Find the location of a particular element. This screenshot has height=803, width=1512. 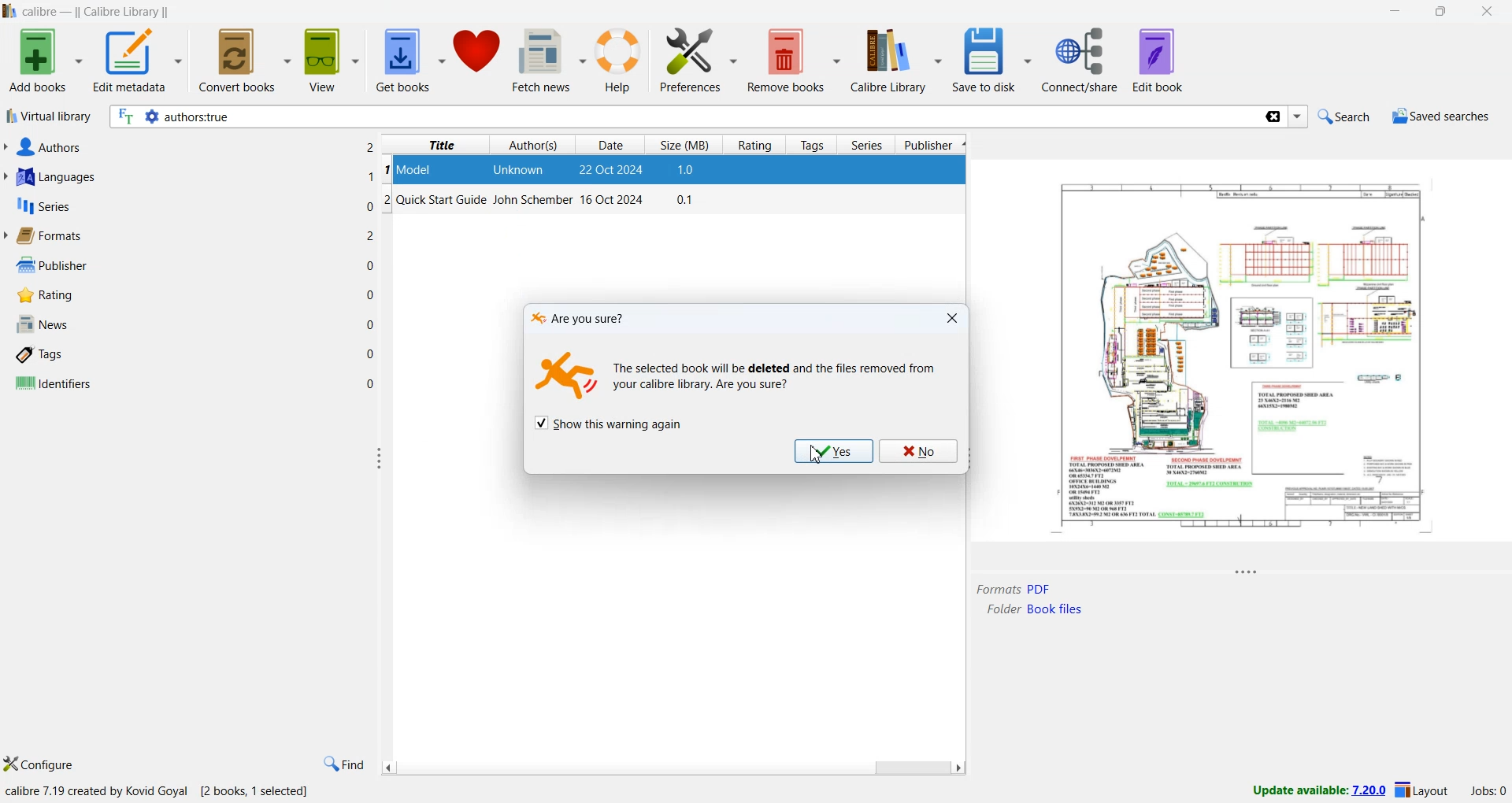

save to disk is located at coordinates (991, 61).